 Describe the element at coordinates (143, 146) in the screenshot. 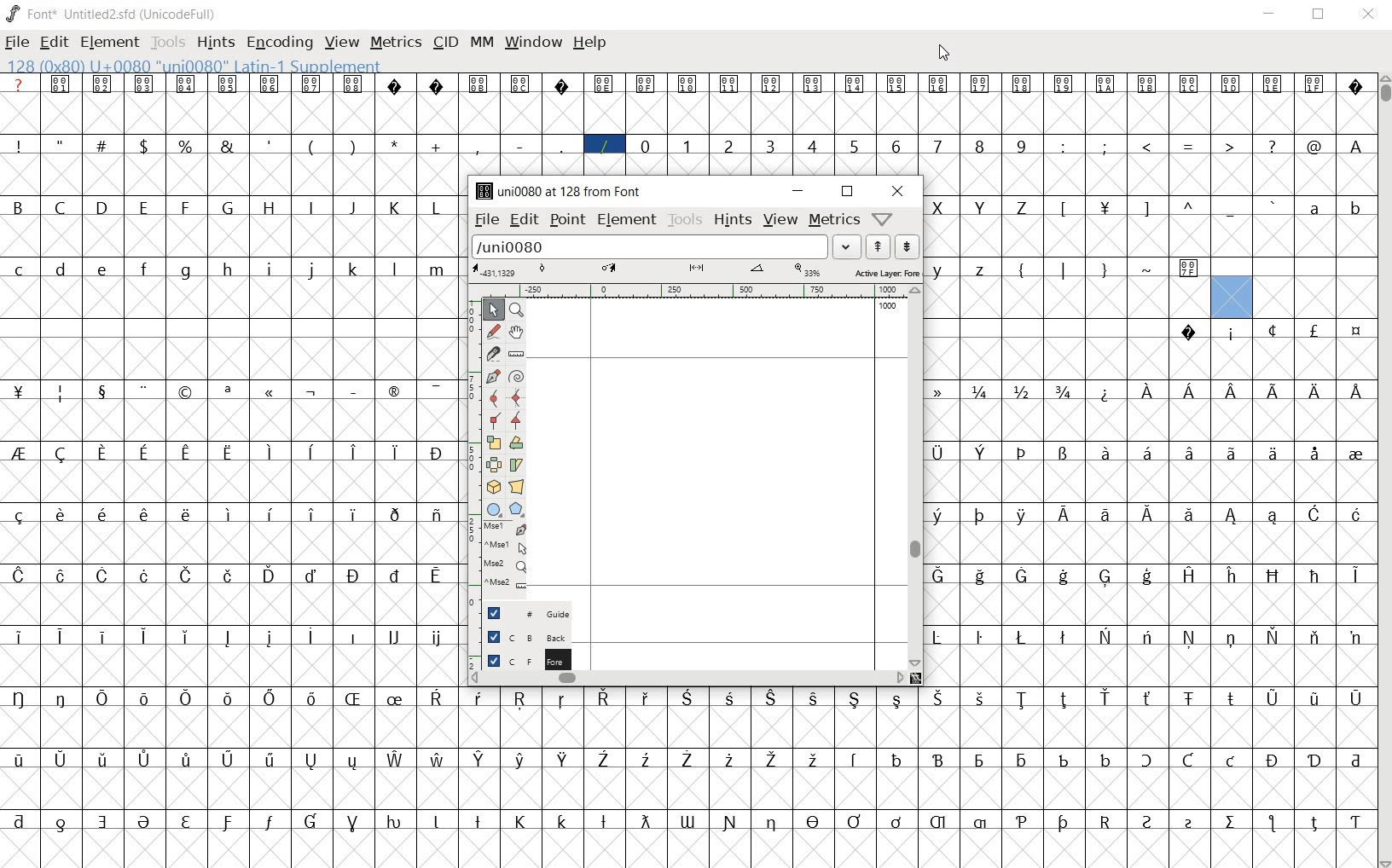

I see `glyph` at that location.